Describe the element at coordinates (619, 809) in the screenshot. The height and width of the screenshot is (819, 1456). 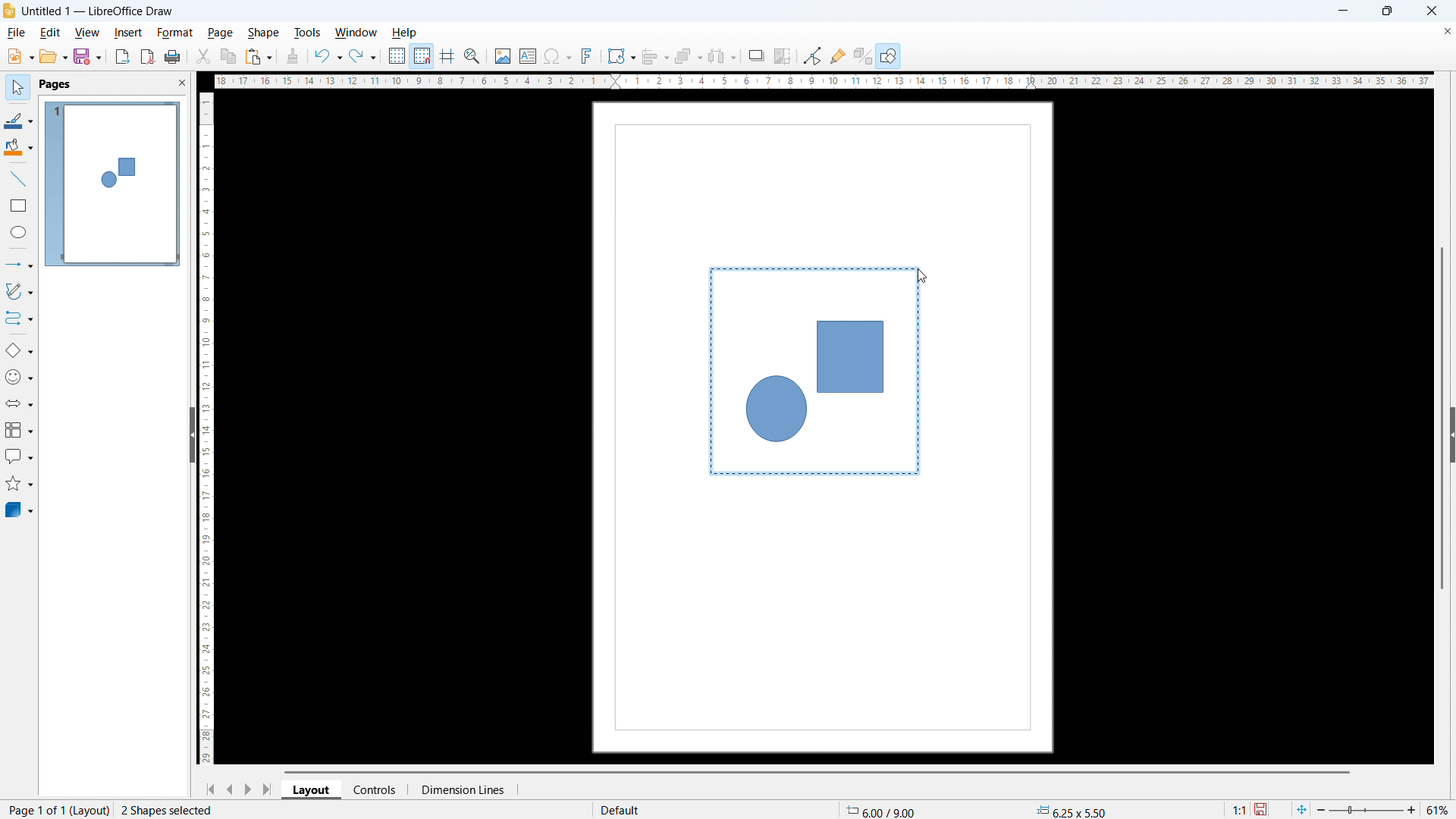
I see `default page display` at that location.